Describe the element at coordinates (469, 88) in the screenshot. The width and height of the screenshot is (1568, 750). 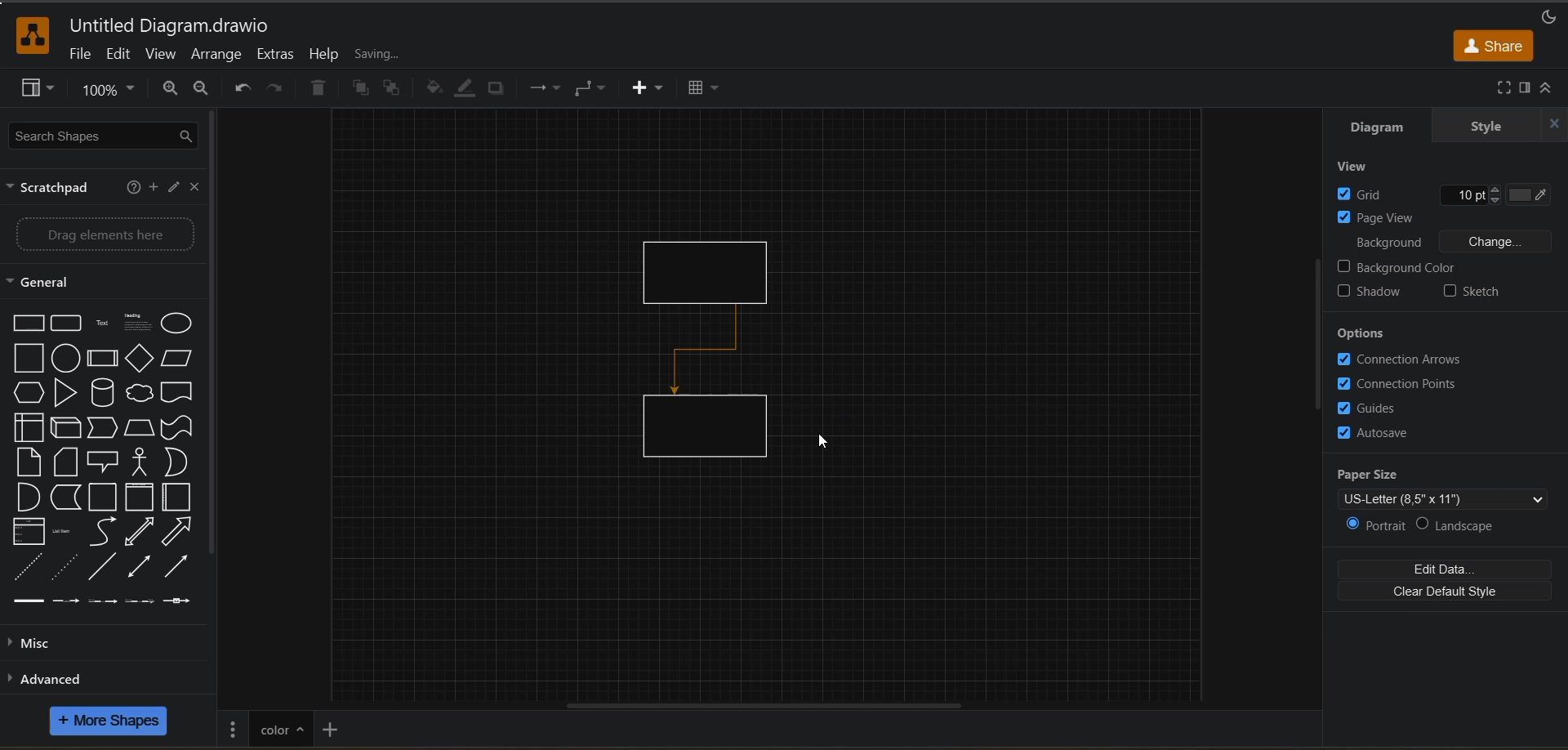
I see `line color` at that location.